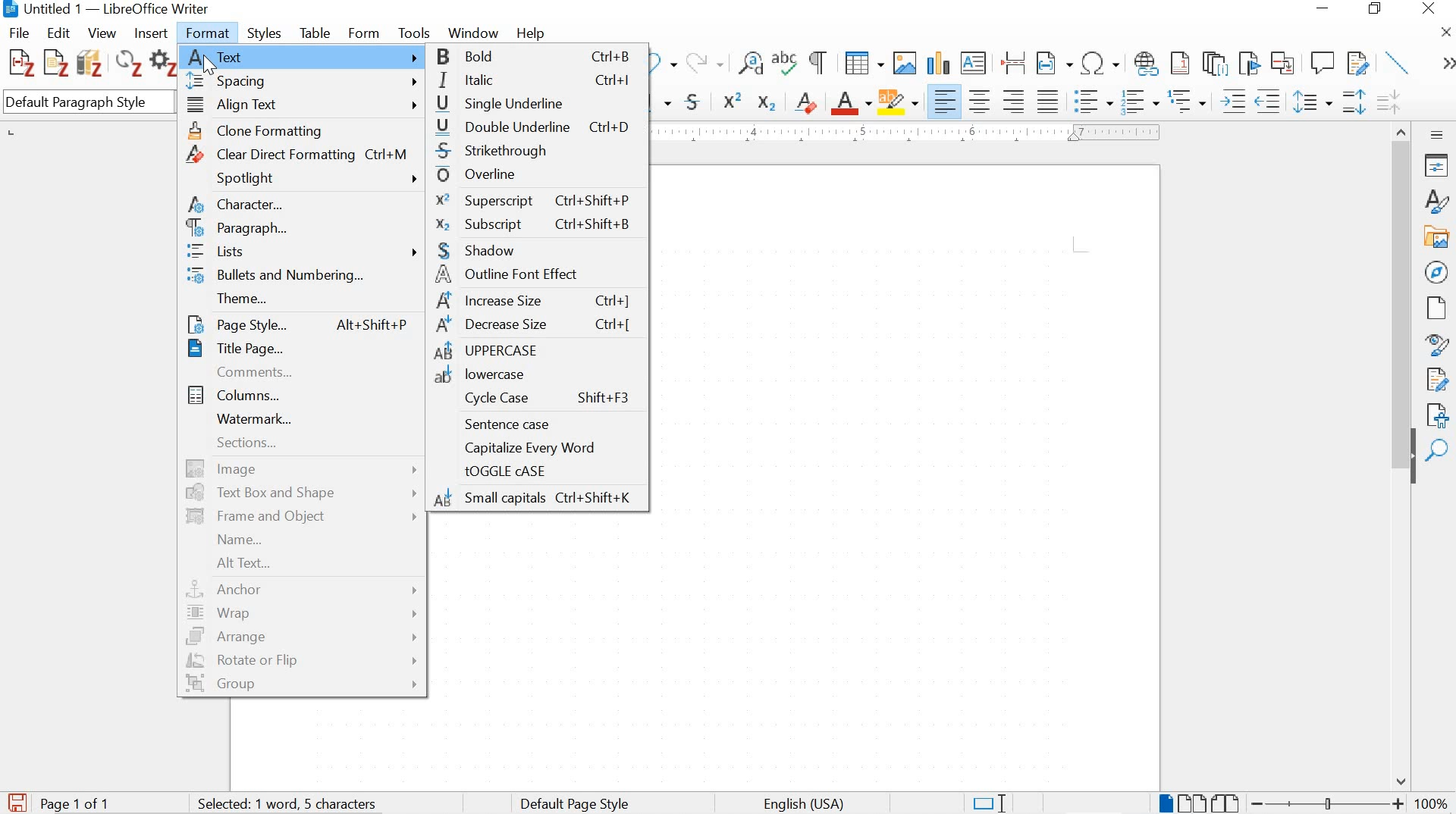 This screenshot has height=814, width=1456. I want to click on single underline, so click(538, 103).